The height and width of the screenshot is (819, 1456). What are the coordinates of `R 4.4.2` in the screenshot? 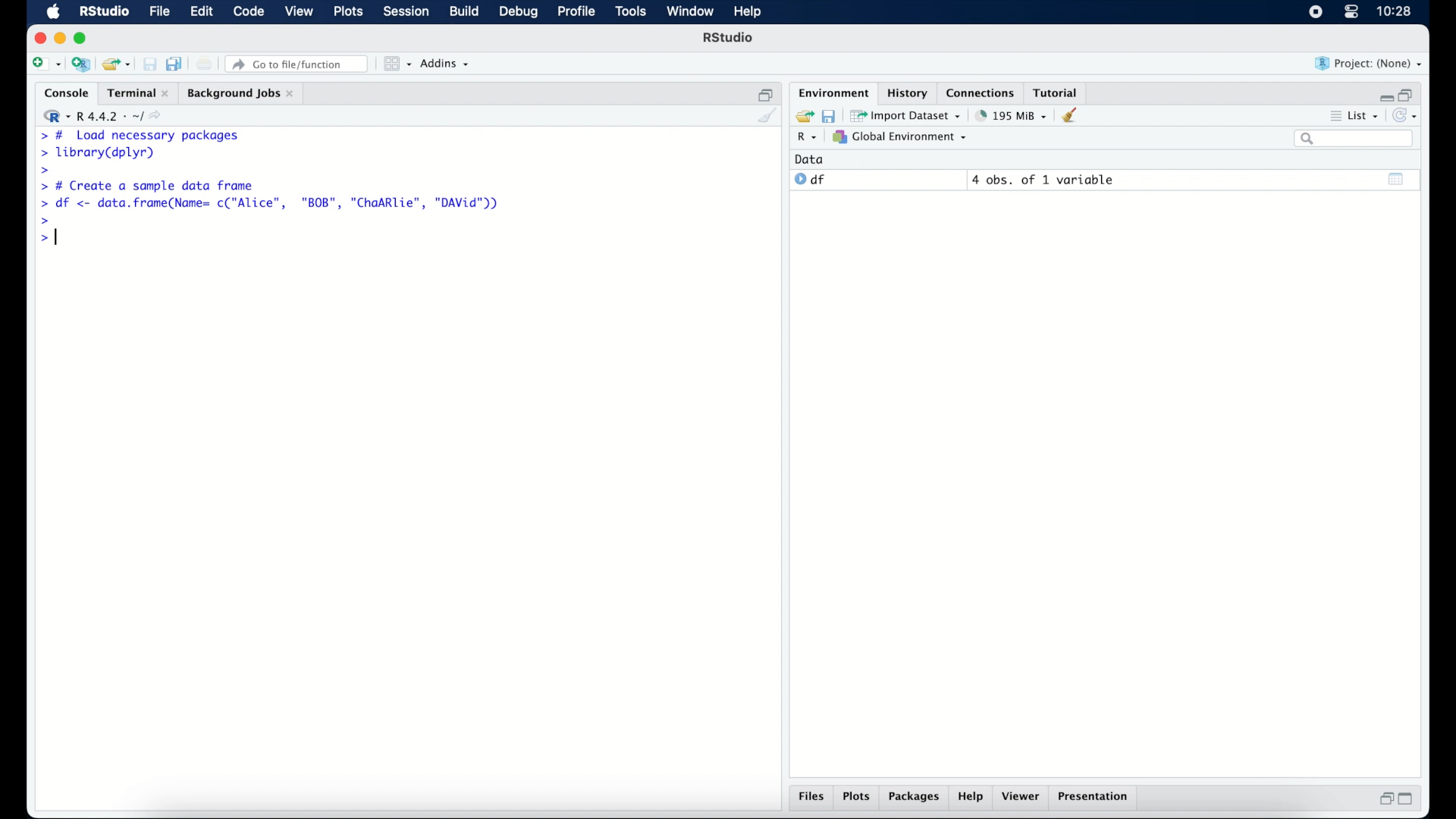 It's located at (106, 117).